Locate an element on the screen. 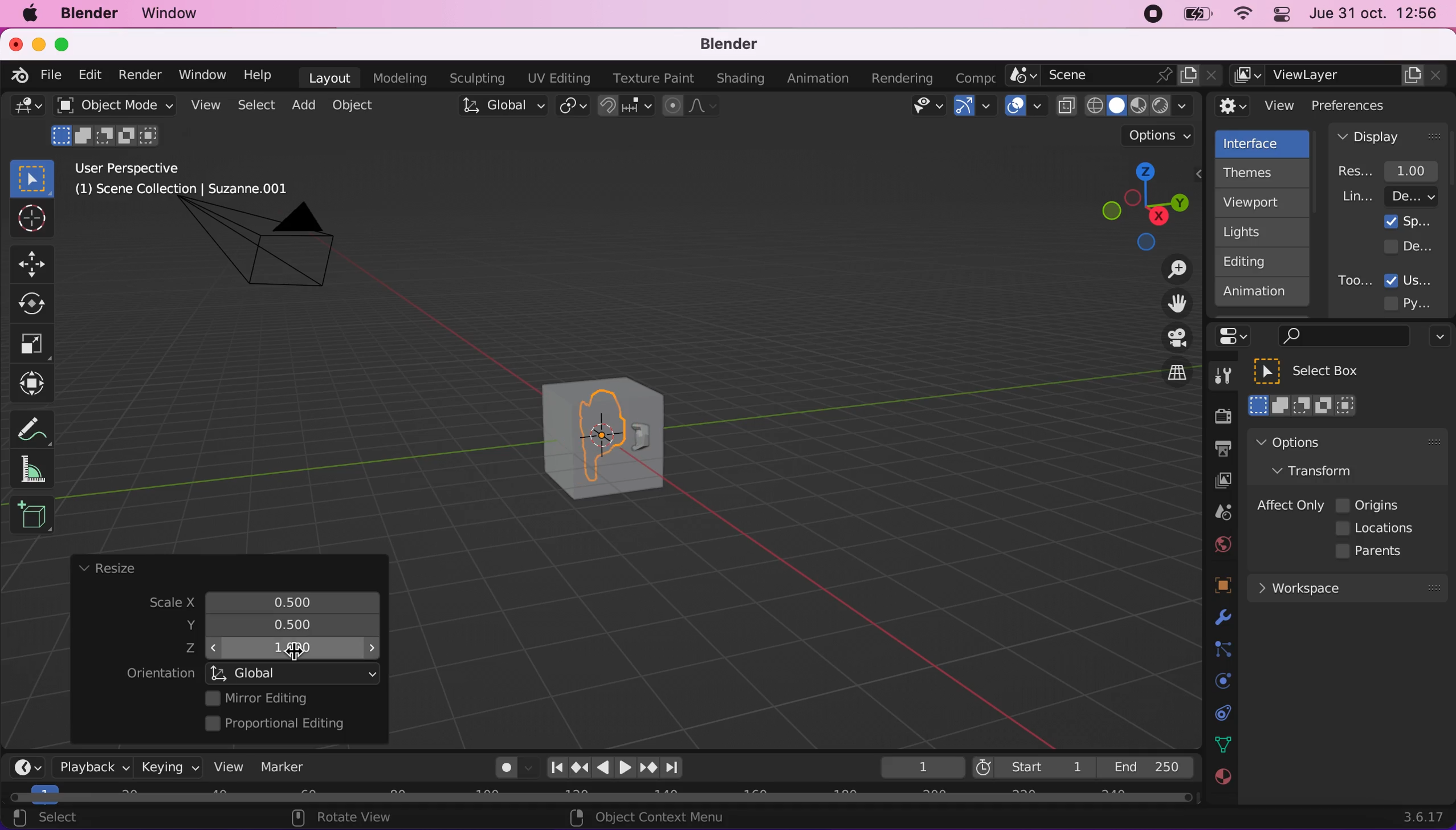 The image size is (1456, 830). play is located at coordinates (615, 768).